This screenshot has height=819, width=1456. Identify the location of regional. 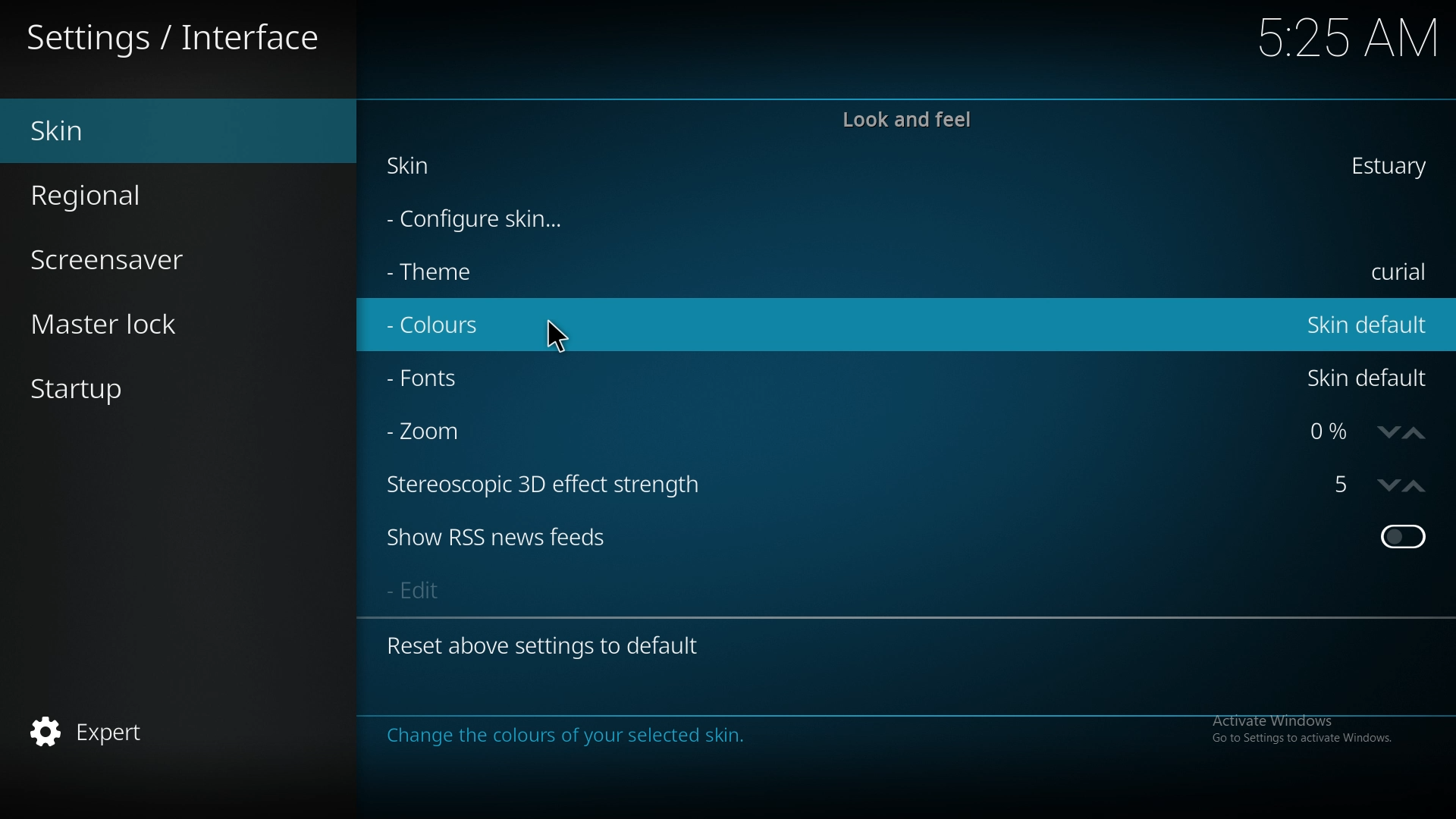
(128, 196).